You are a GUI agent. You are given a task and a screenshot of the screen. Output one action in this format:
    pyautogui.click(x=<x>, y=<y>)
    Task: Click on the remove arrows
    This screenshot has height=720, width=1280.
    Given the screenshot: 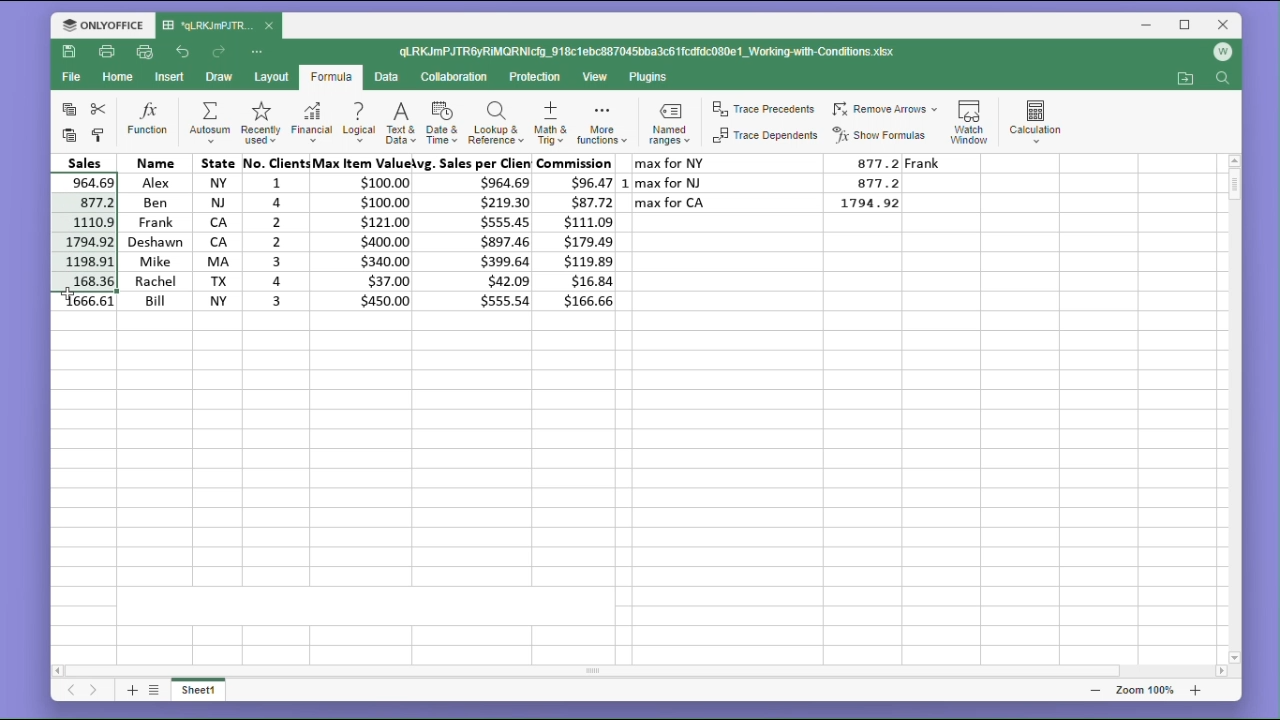 What is the action you would take?
    pyautogui.click(x=885, y=106)
    